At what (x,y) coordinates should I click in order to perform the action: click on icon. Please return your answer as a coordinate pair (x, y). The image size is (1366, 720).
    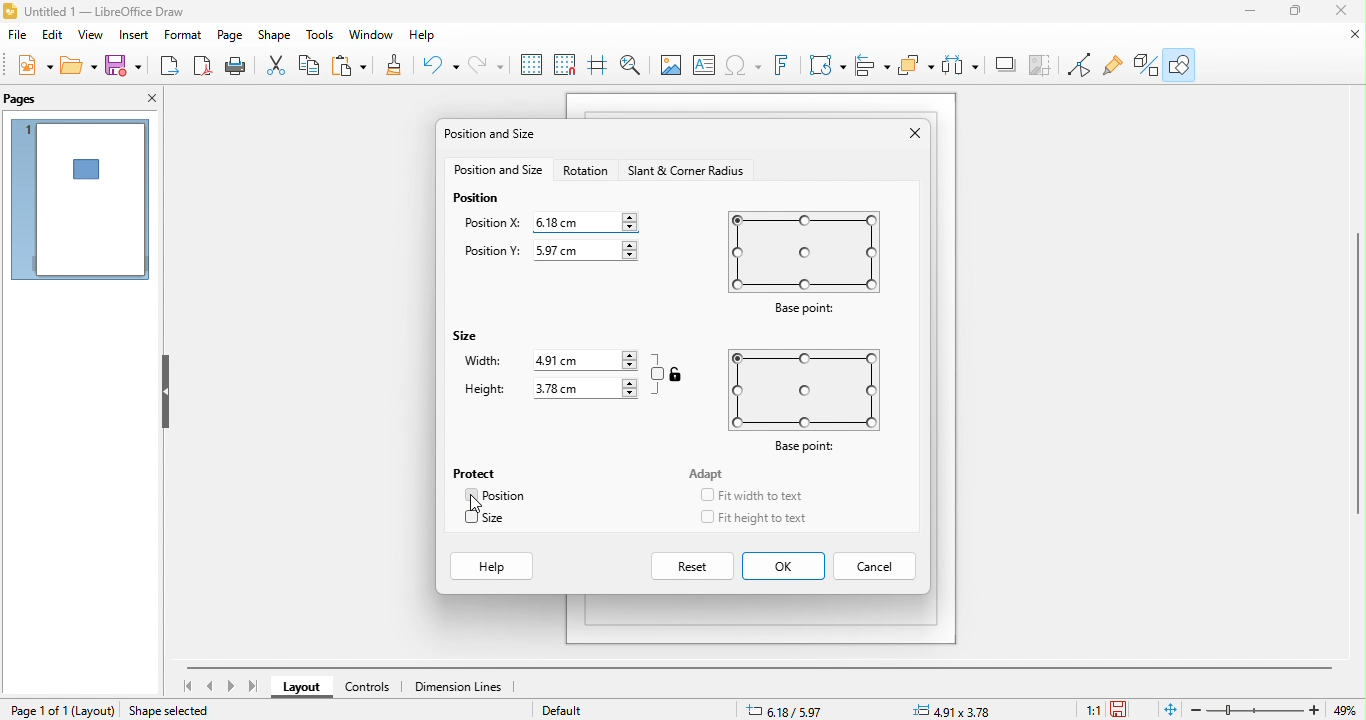
    Looking at the image, I should click on (677, 373).